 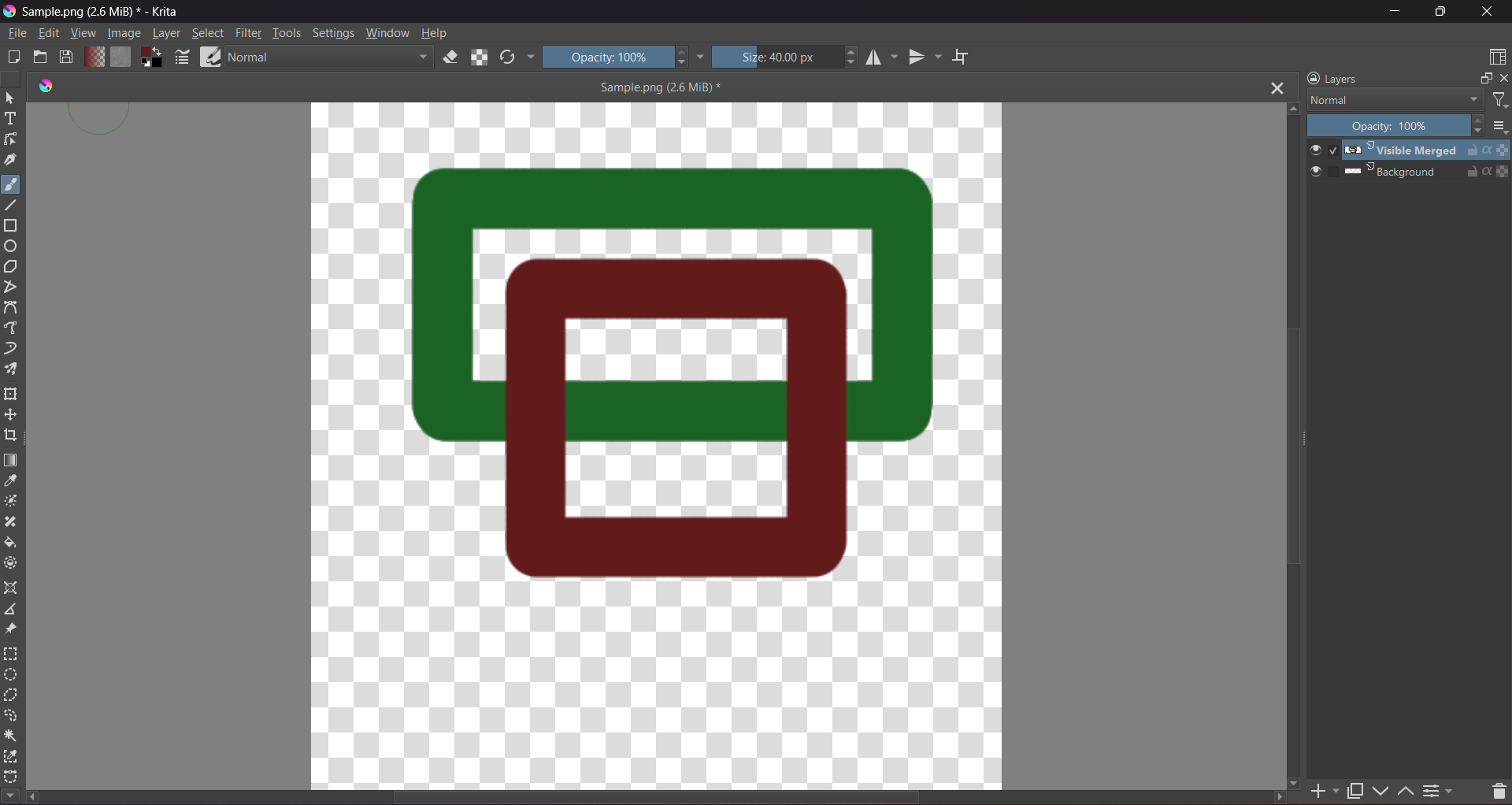 I want to click on Close Canvas, so click(x=1277, y=88).